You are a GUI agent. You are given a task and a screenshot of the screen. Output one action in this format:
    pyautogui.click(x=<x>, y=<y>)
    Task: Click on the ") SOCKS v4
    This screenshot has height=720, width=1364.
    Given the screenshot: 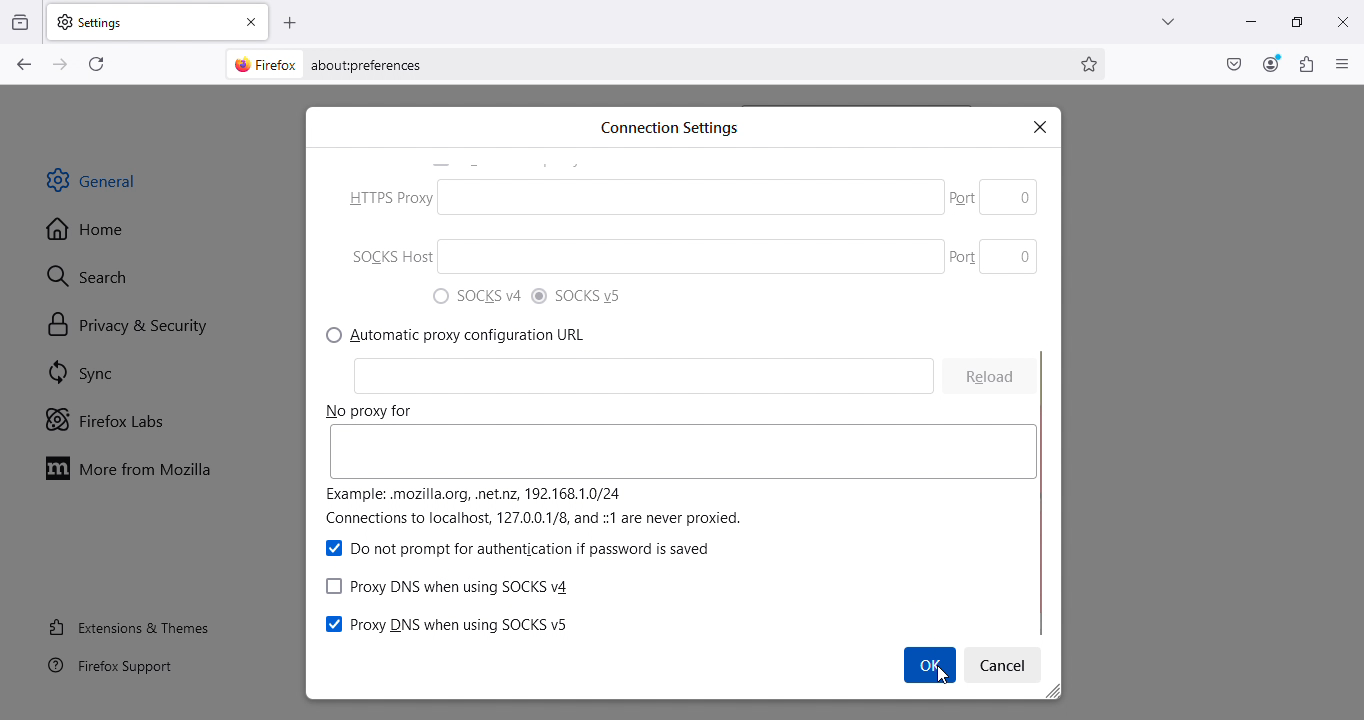 What is the action you would take?
    pyautogui.click(x=520, y=549)
    